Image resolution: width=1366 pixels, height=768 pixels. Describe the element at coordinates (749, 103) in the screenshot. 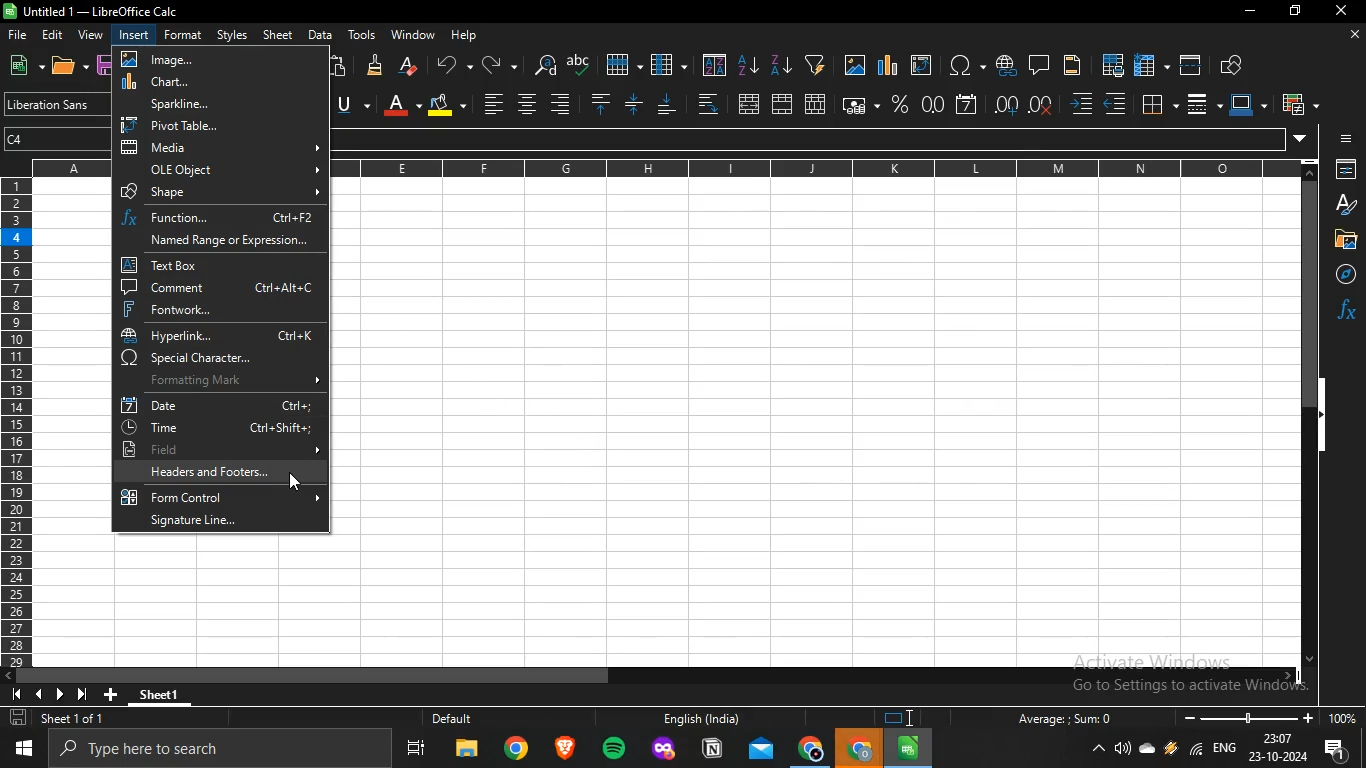

I see `merge and center or unmerge` at that location.